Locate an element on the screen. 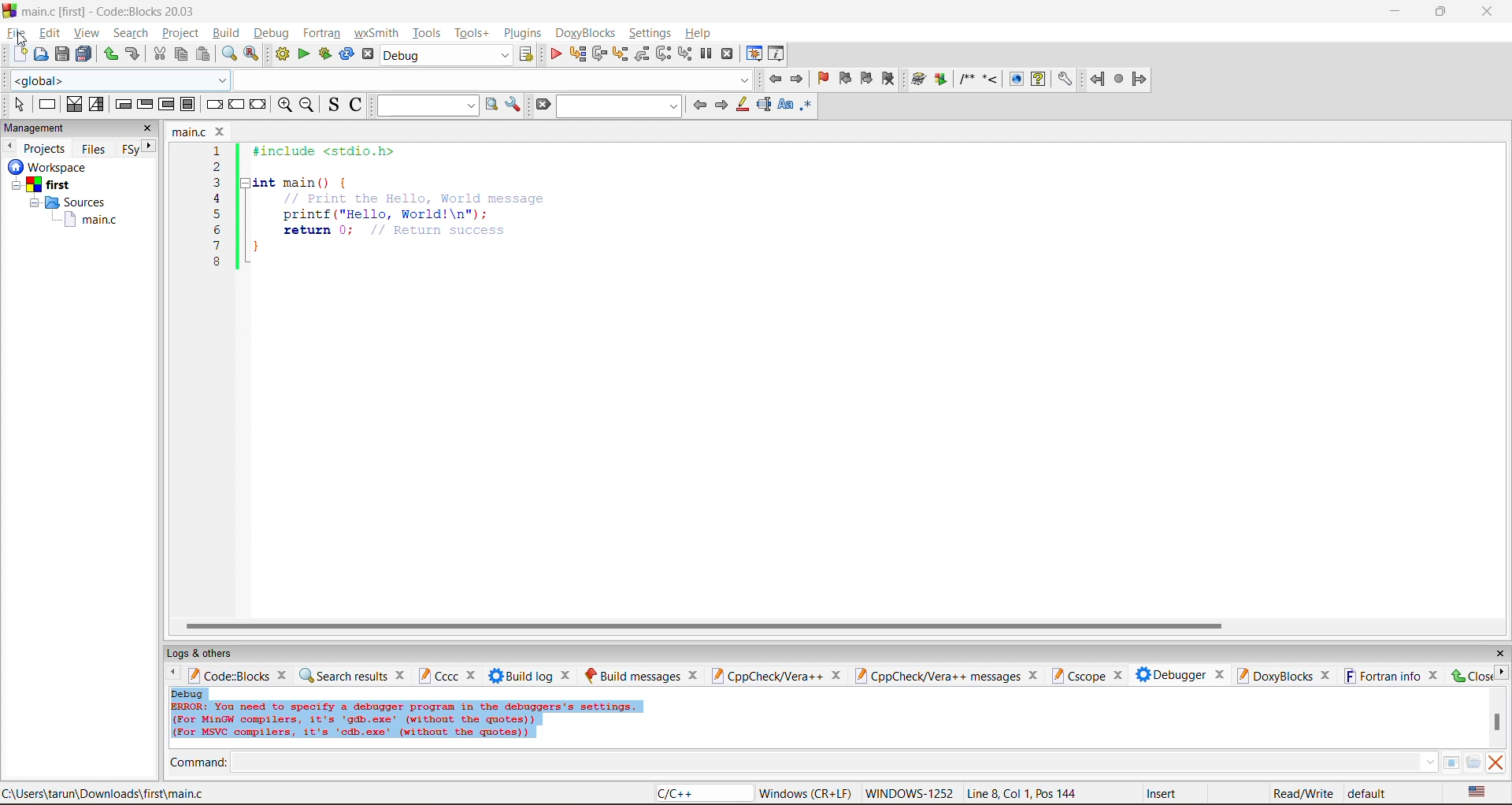 The image size is (1512, 805). instruction is located at coordinates (46, 105).